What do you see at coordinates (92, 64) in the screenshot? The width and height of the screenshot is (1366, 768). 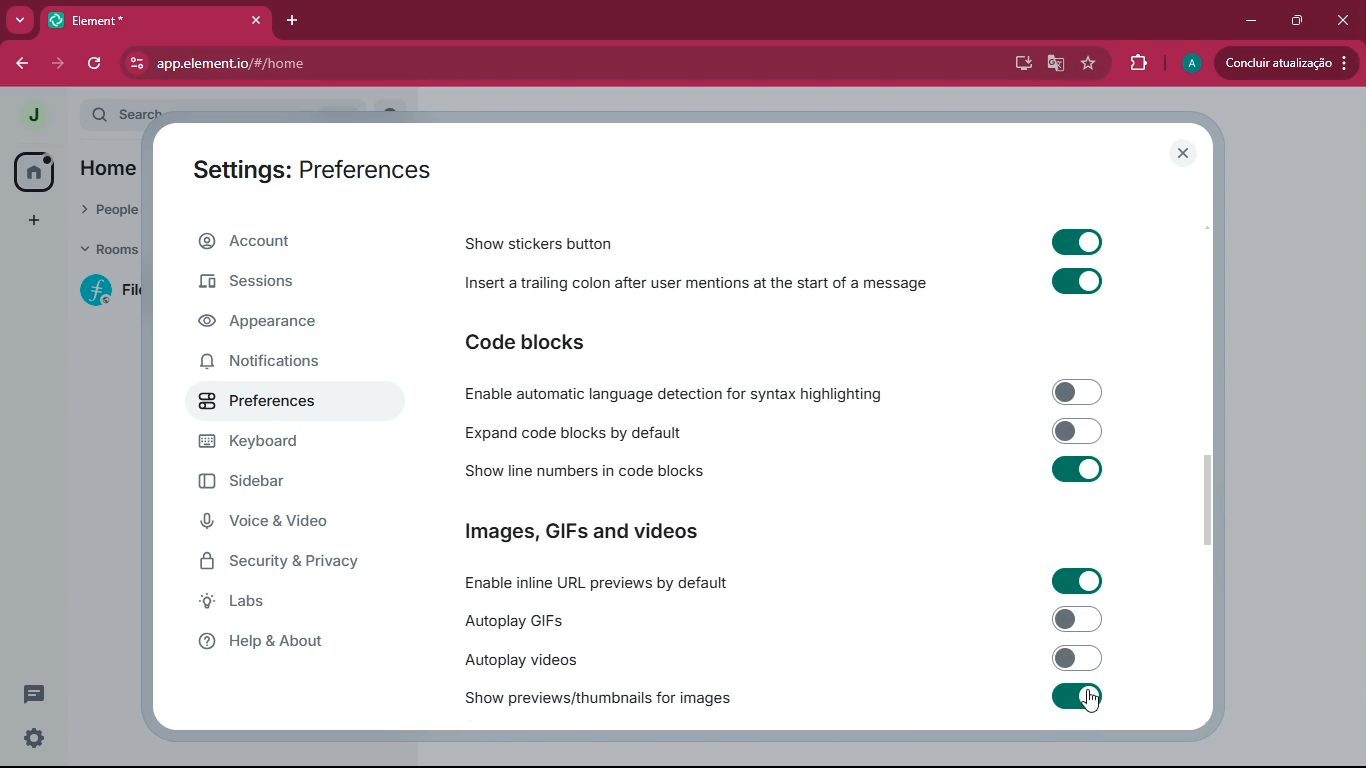 I see `refresh` at bounding box center [92, 64].